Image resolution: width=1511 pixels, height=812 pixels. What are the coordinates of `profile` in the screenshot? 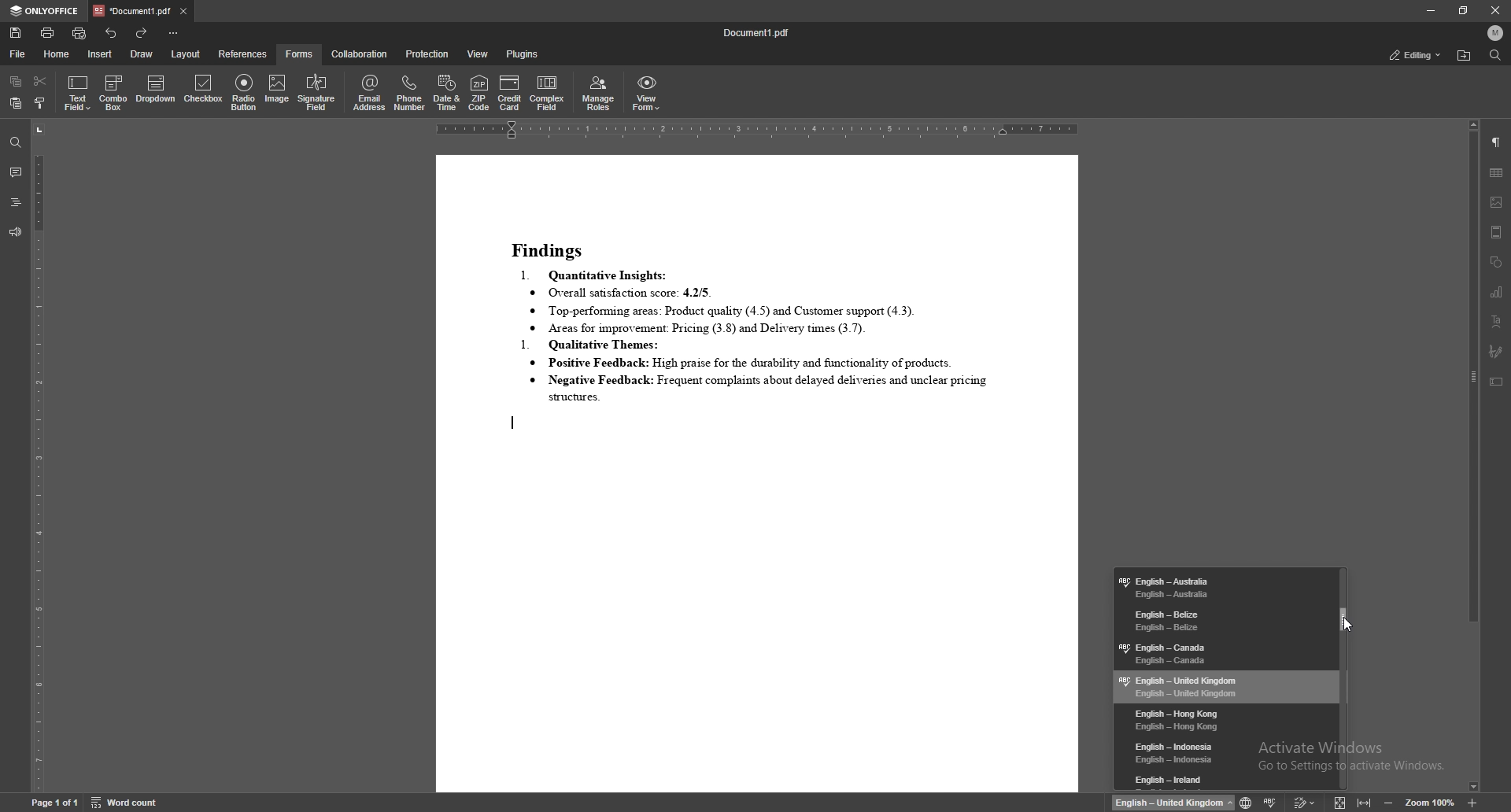 It's located at (1495, 31).